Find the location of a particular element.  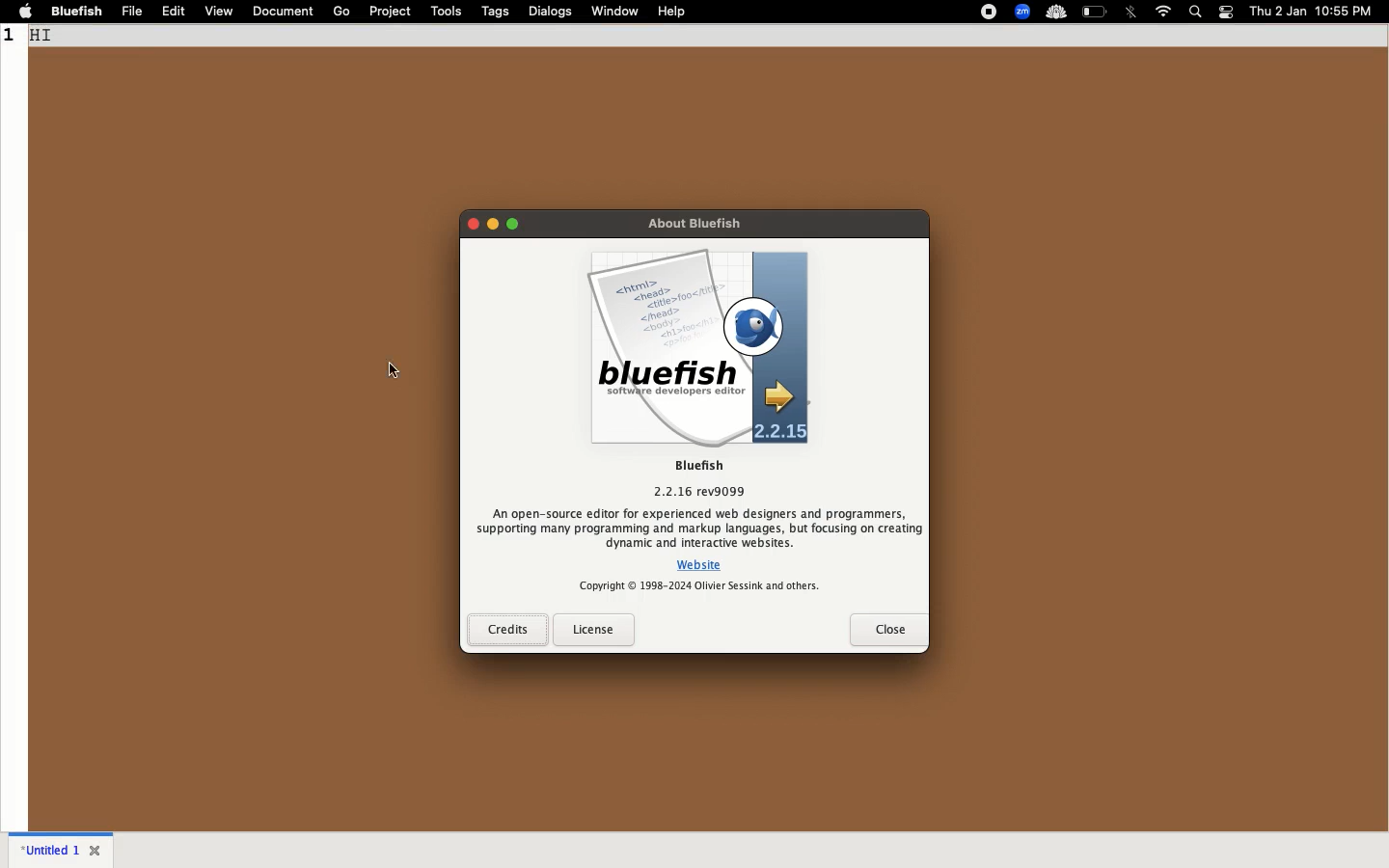

logo is located at coordinates (698, 348).